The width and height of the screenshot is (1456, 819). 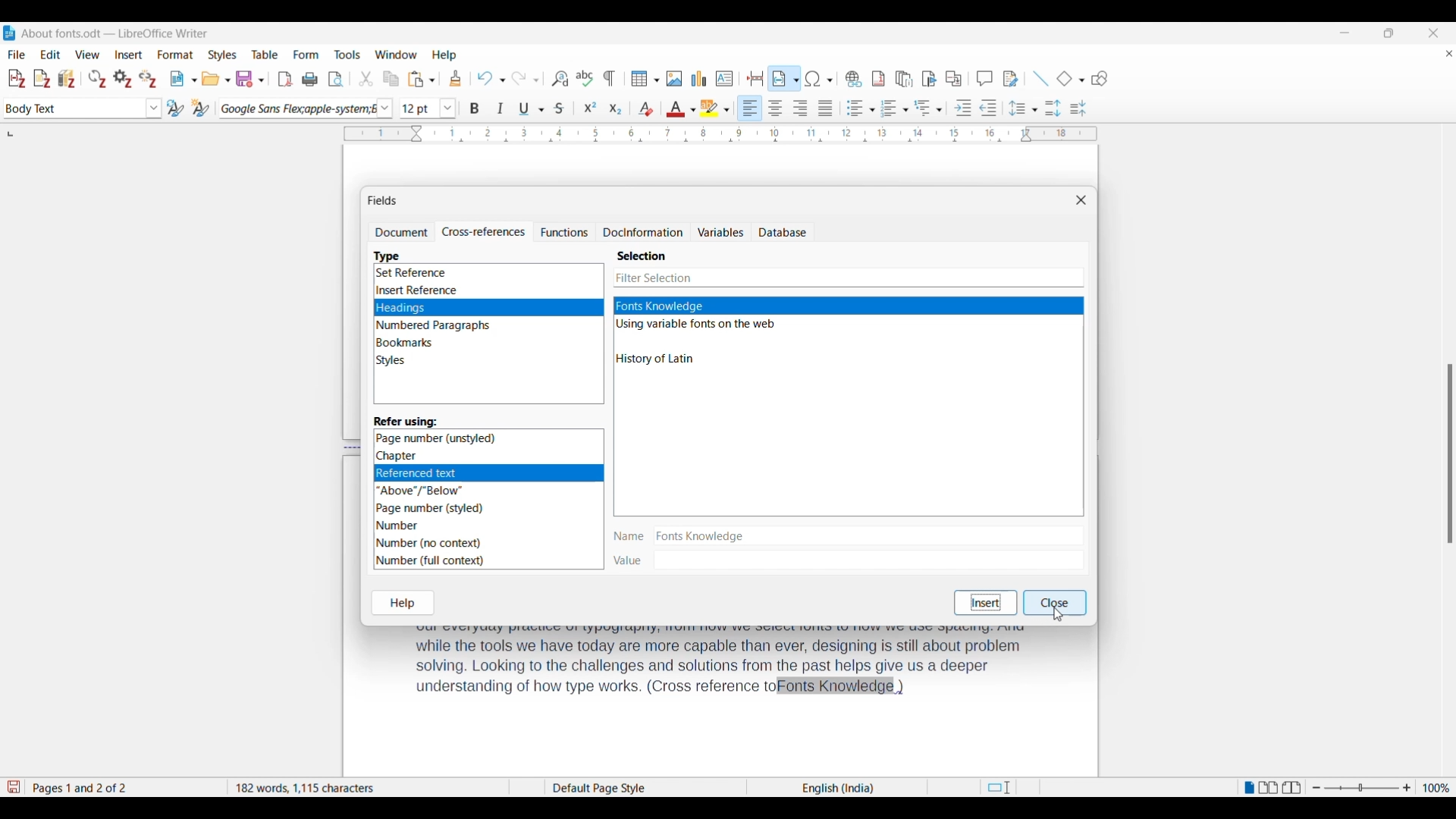 What do you see at coordinates (645, 79) in the screenshot?
I see `Insert table` at bounding box center [645, 79].